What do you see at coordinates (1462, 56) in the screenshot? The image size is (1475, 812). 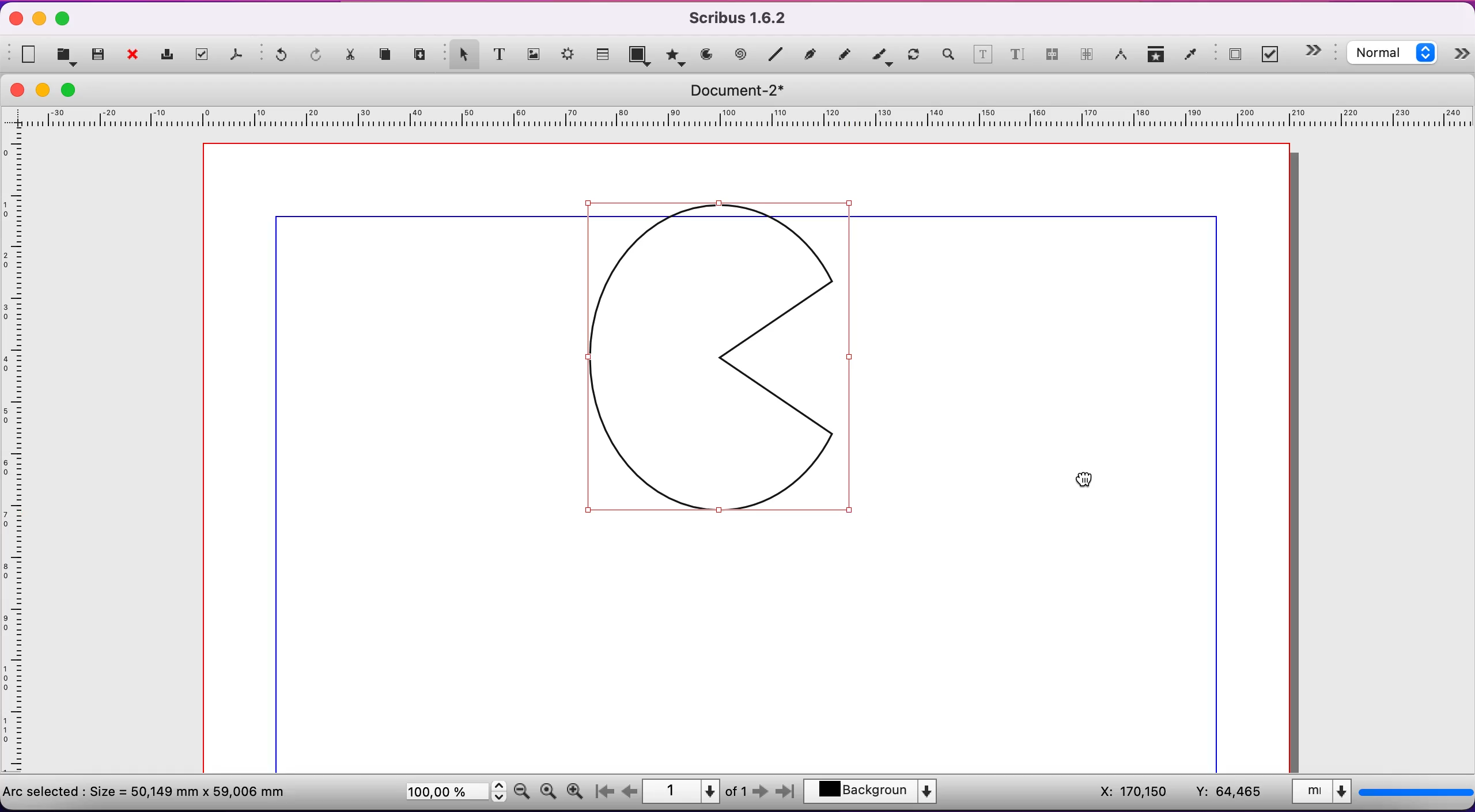 I see `hide/show panel` at bounding box center [1462, 56].